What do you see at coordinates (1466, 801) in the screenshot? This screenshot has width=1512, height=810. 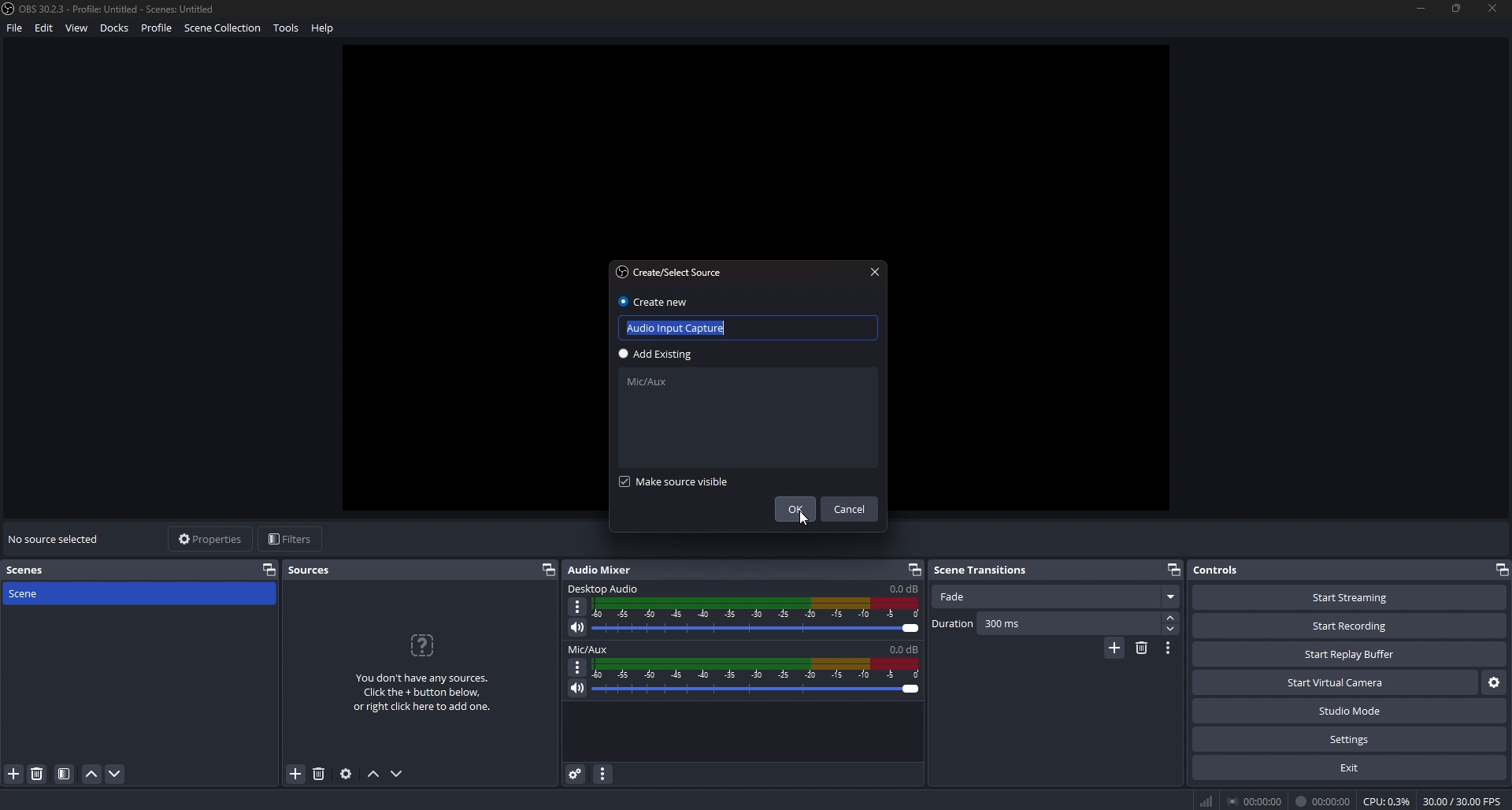 I see `% 30.00/30.00F` at bounding box center [1466, 801].